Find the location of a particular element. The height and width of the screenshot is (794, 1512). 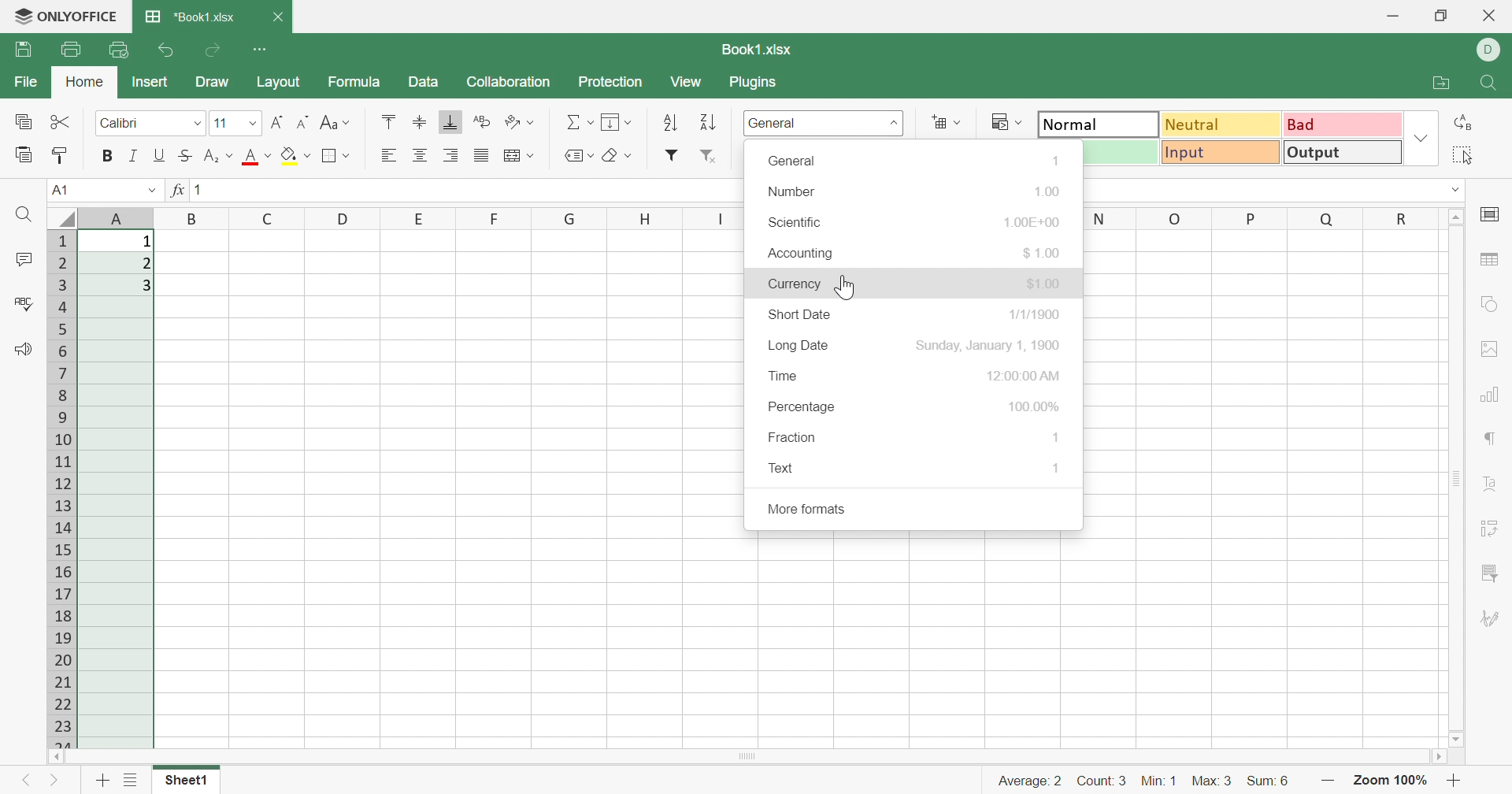

Count: 3 is located at coordinates (1103, 783).